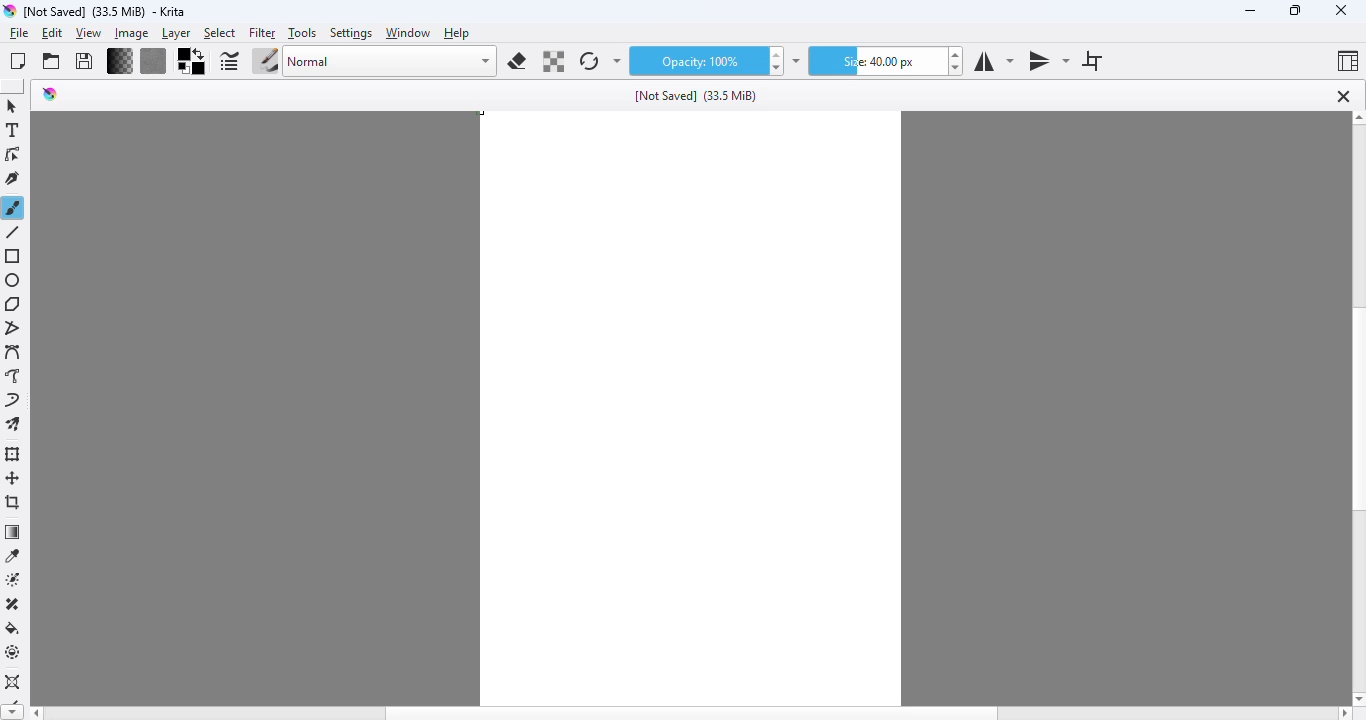 The width and height of the screenshot is (1366, 720). I want to click on view, so click(87, 33).